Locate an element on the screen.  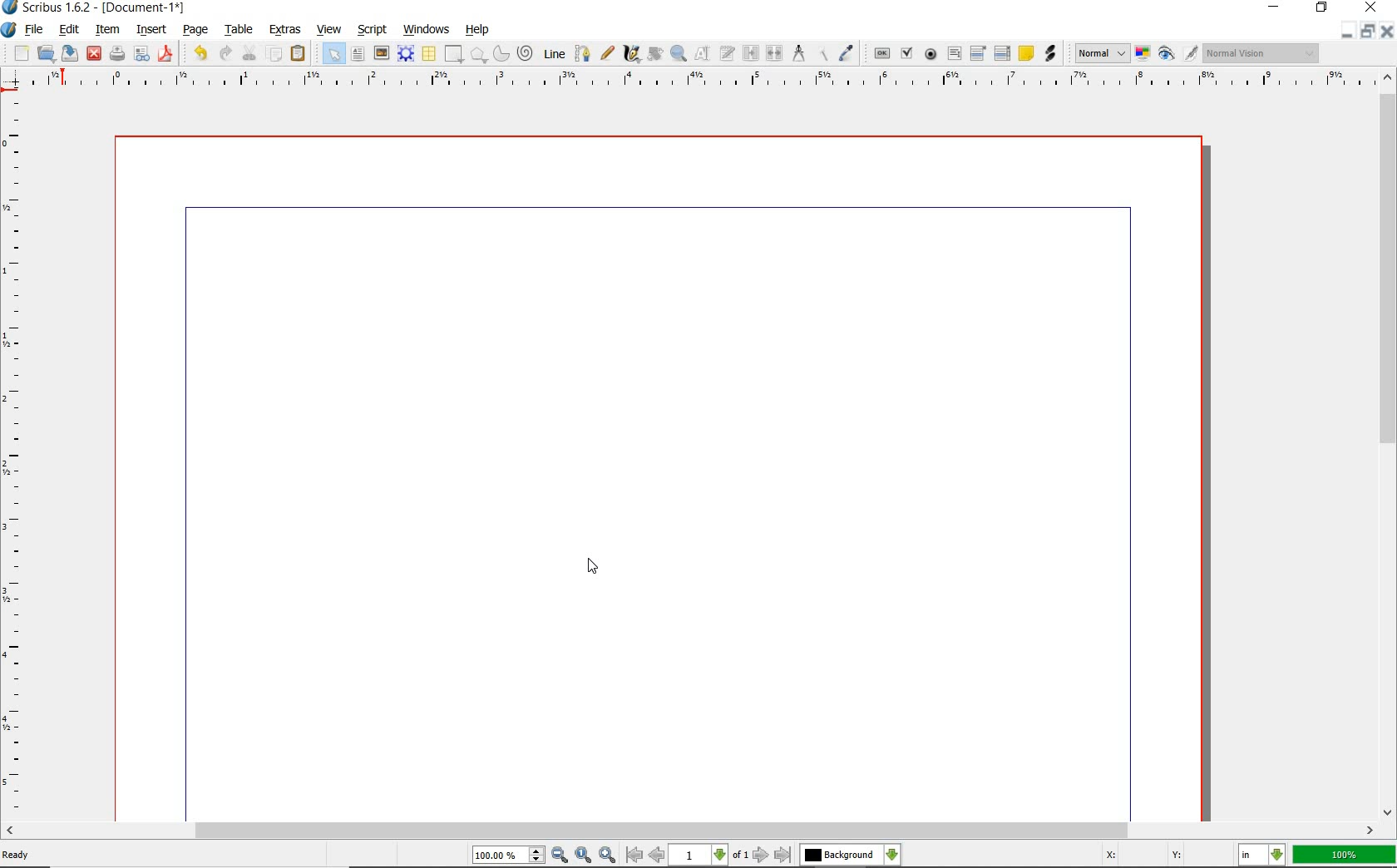
link annotation is located at coordinates (1051, 54).